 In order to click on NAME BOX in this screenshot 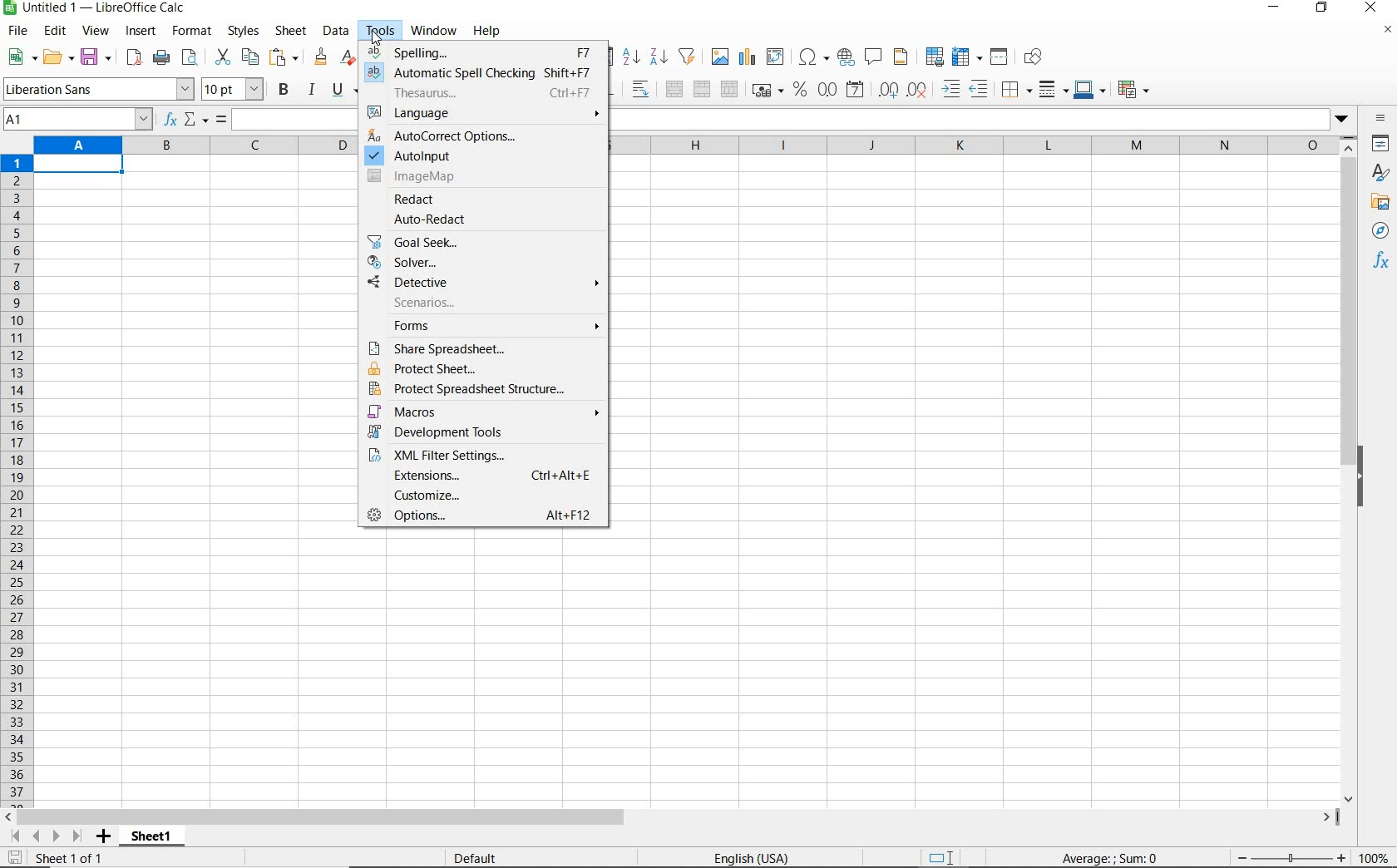, I will do `click(78, 118)`.